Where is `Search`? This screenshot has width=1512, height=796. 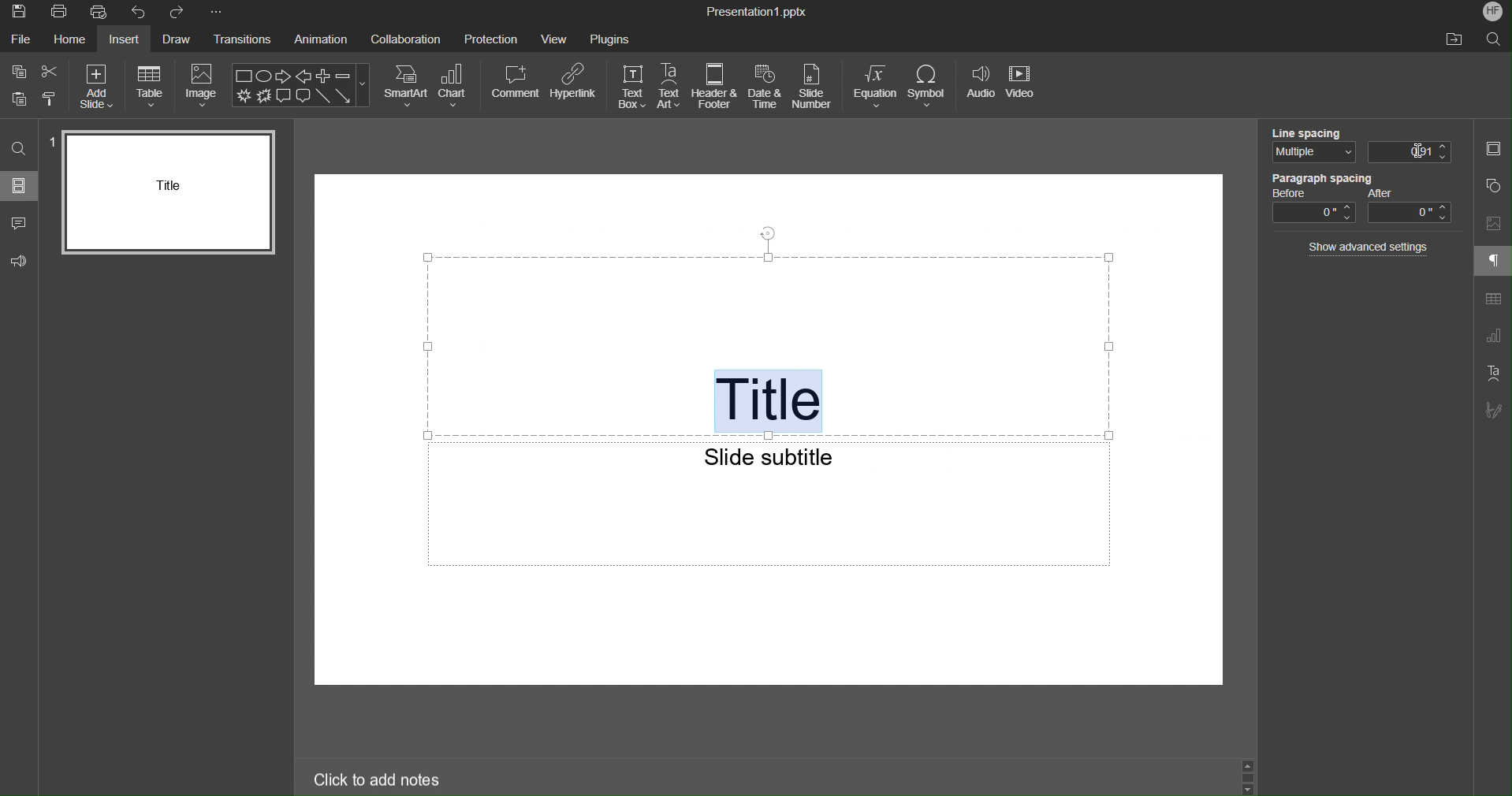
Search is located at coordinates (20, 149).